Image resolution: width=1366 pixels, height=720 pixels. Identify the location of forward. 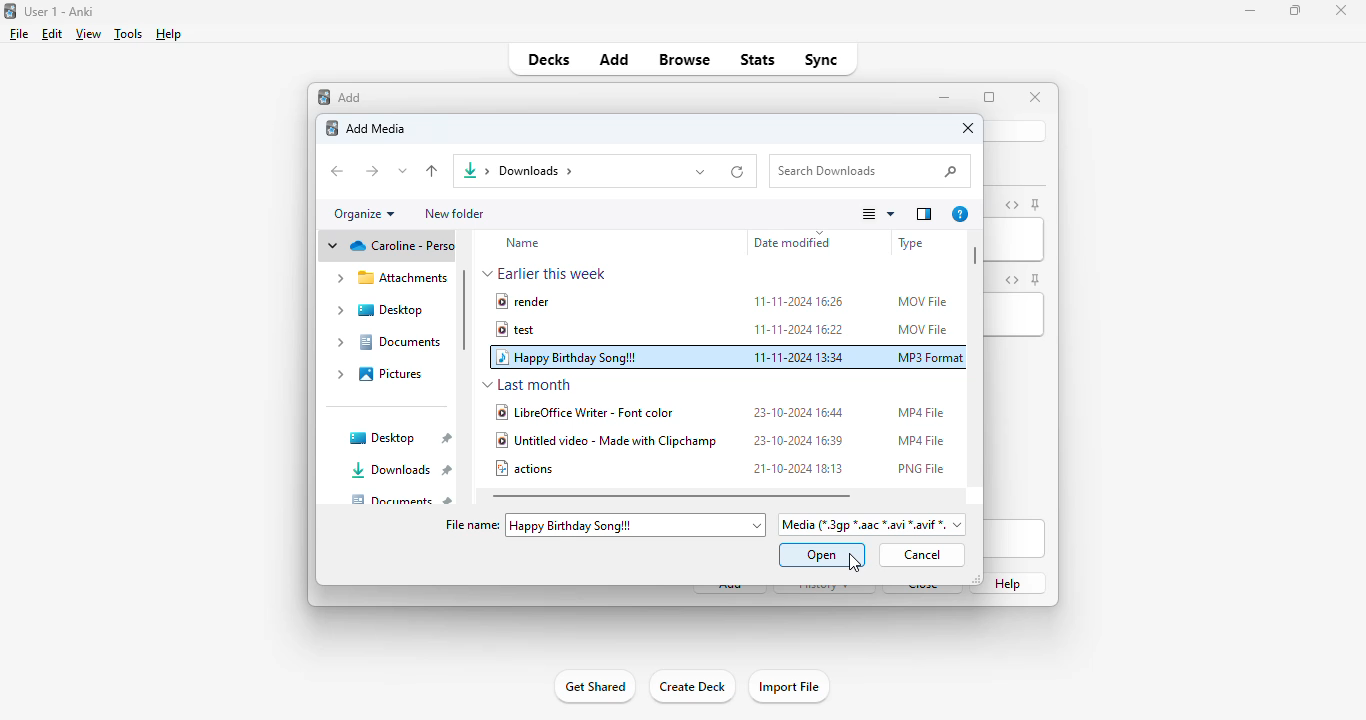
(373, 171).